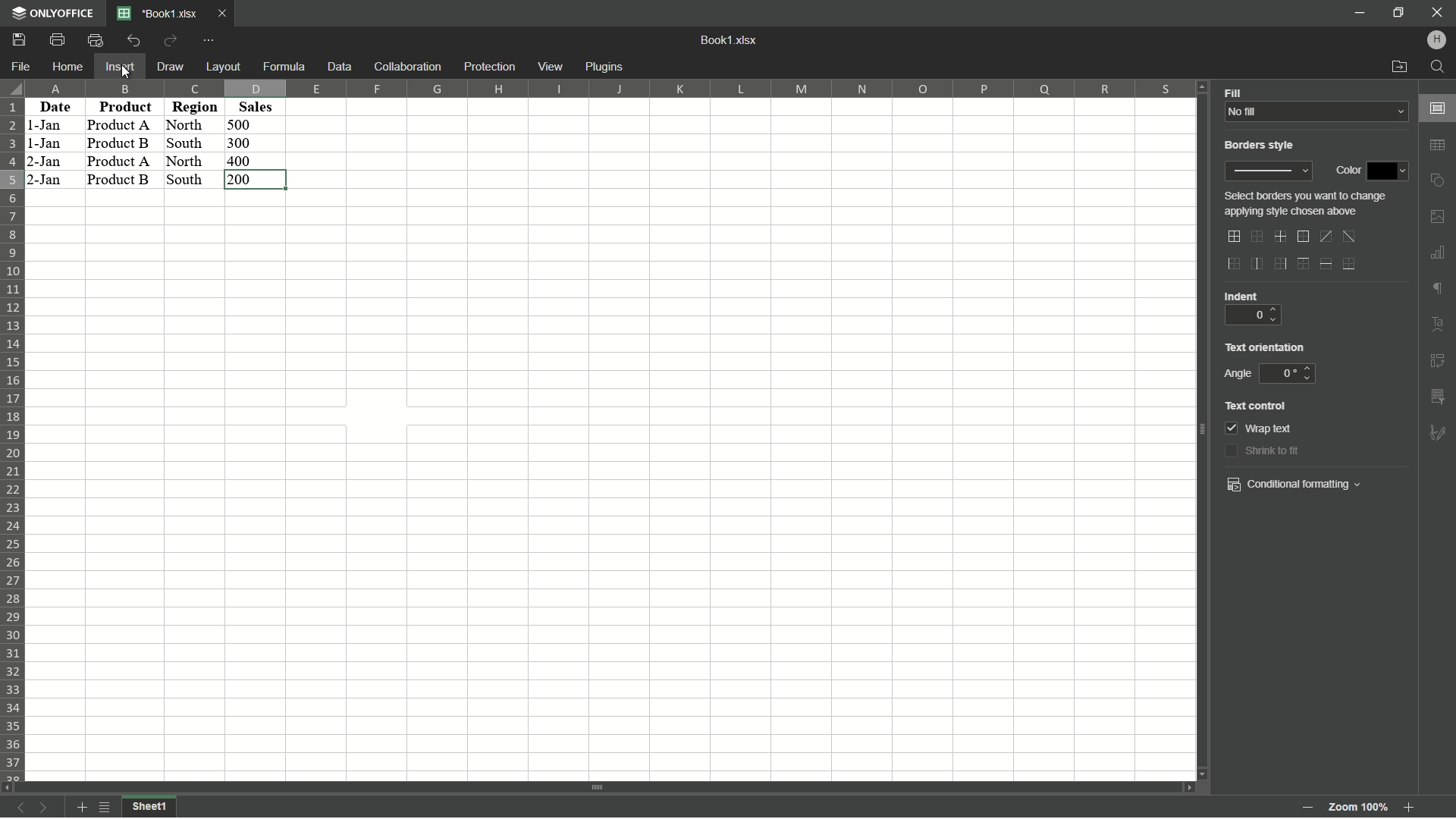 The width and height of the screenshot is (1456, 819). What do you see at coordinates (14, 440) in the screenshot?
I see `row number` at bounding box center [14, 440].